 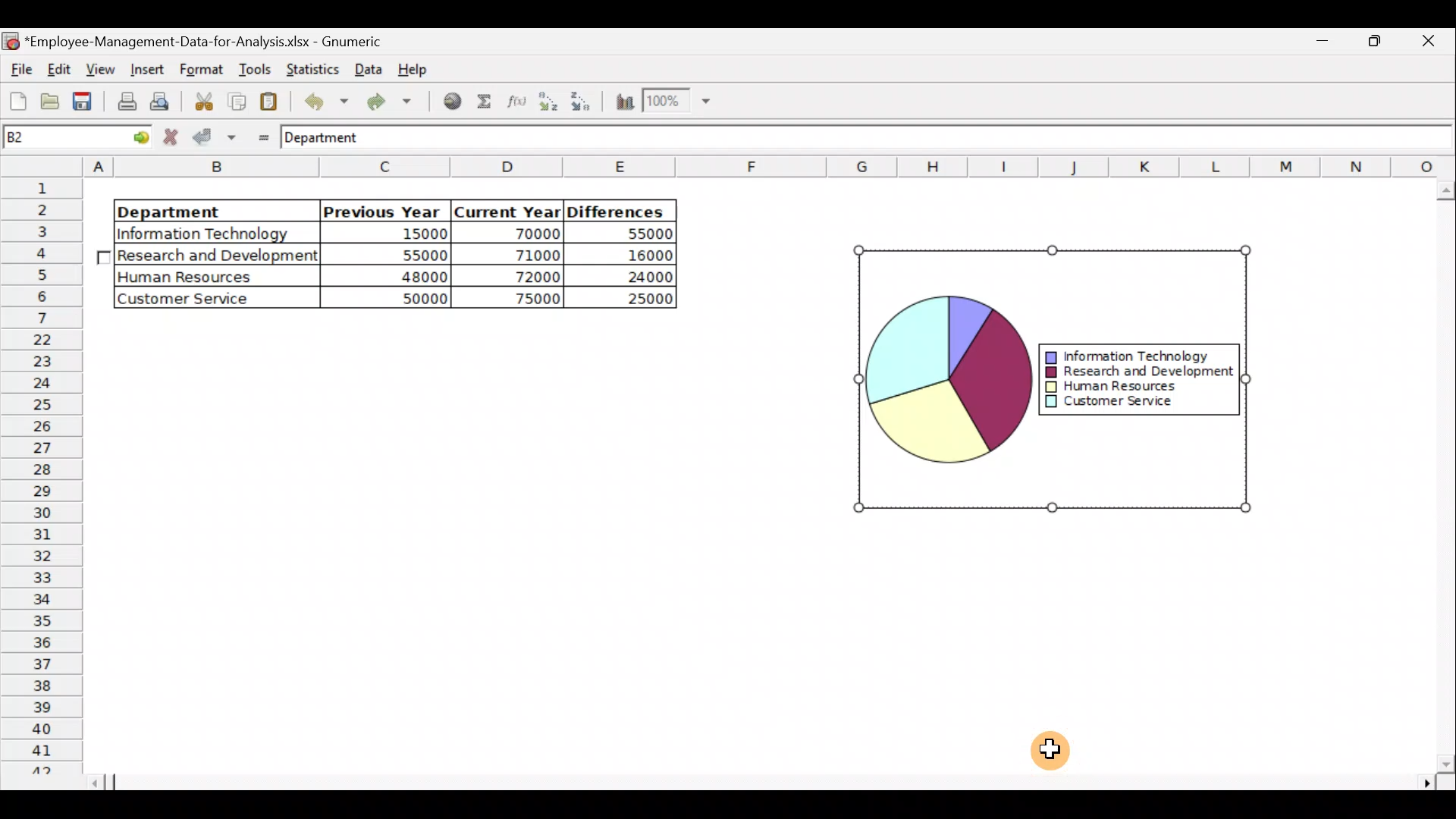 I want to click on Redo undone action, so click(x=394, y=102).